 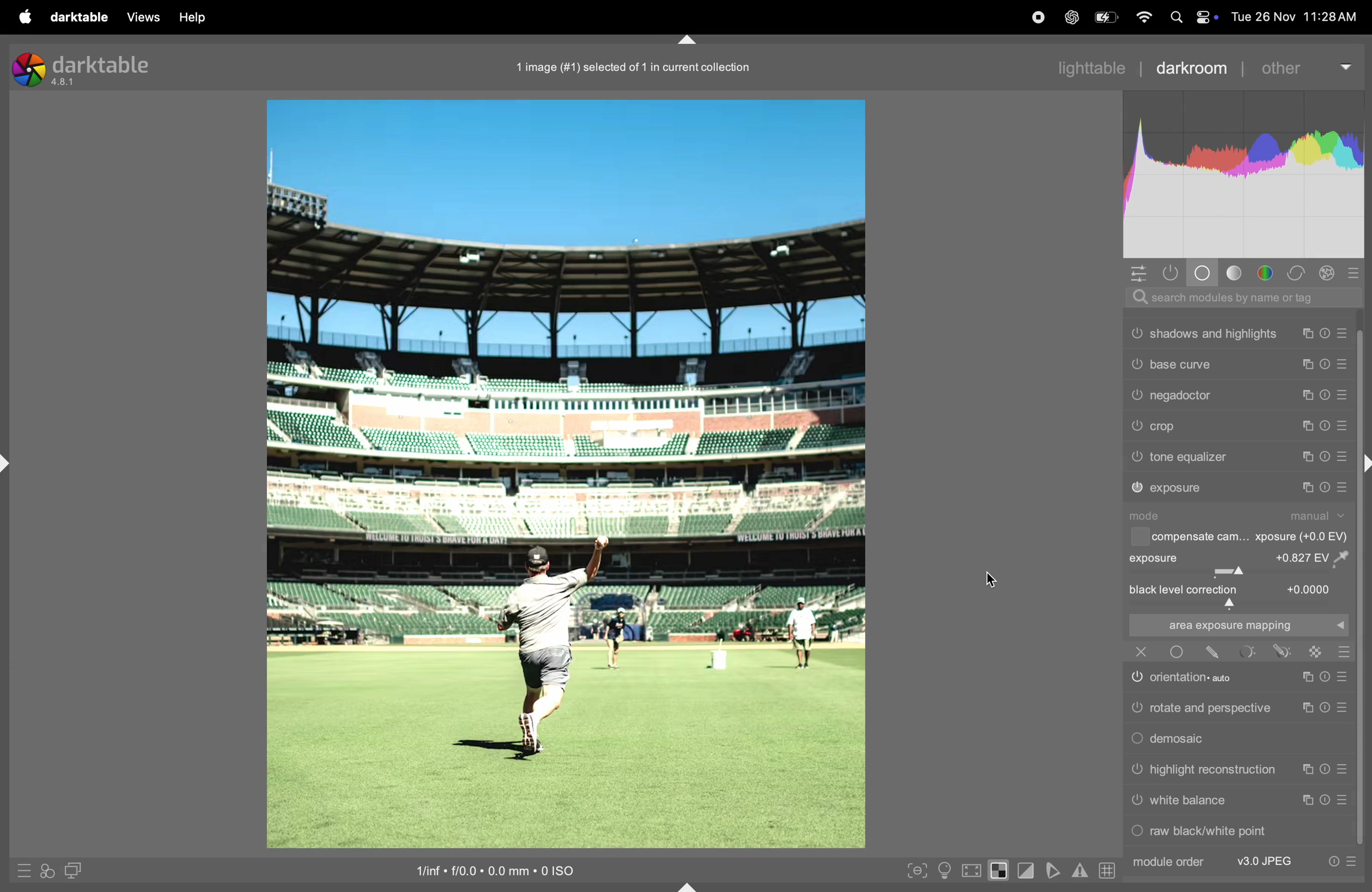 I want to click on edit, so click(x=1213, y=652).